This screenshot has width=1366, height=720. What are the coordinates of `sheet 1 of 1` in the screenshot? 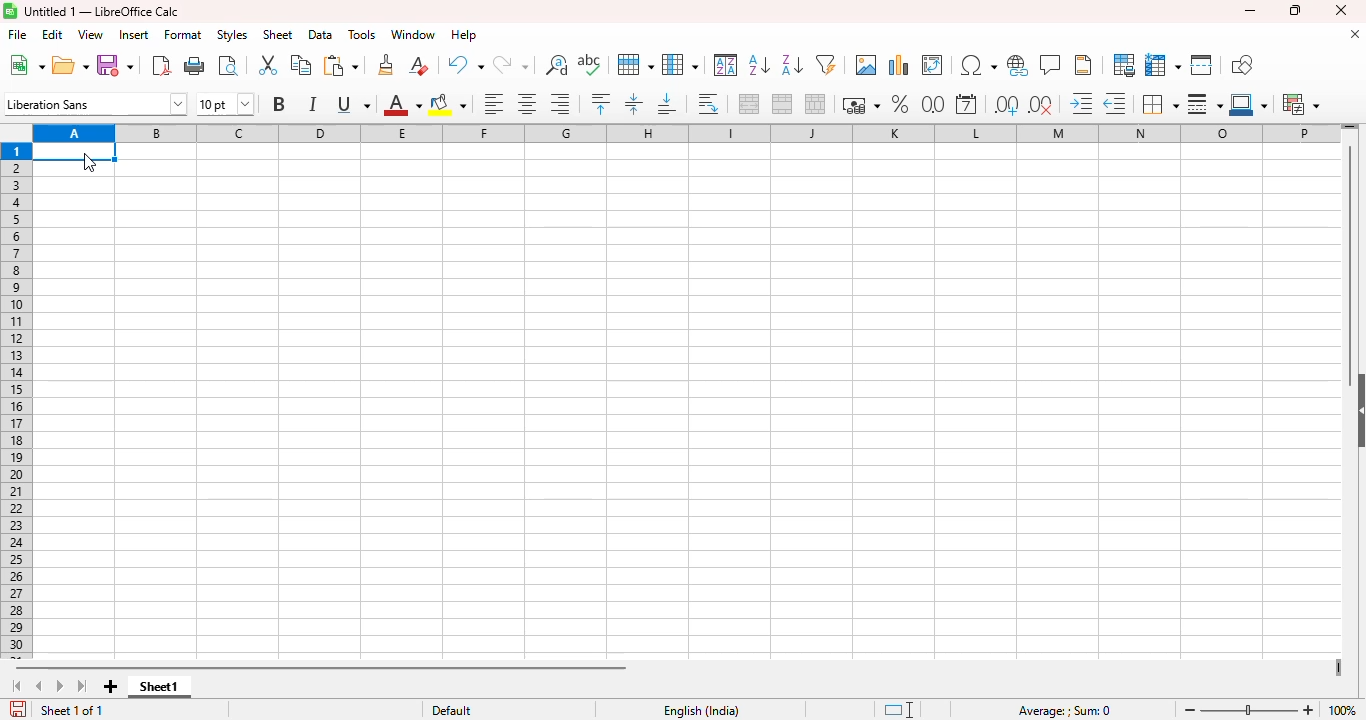 It's located at (73, 710).